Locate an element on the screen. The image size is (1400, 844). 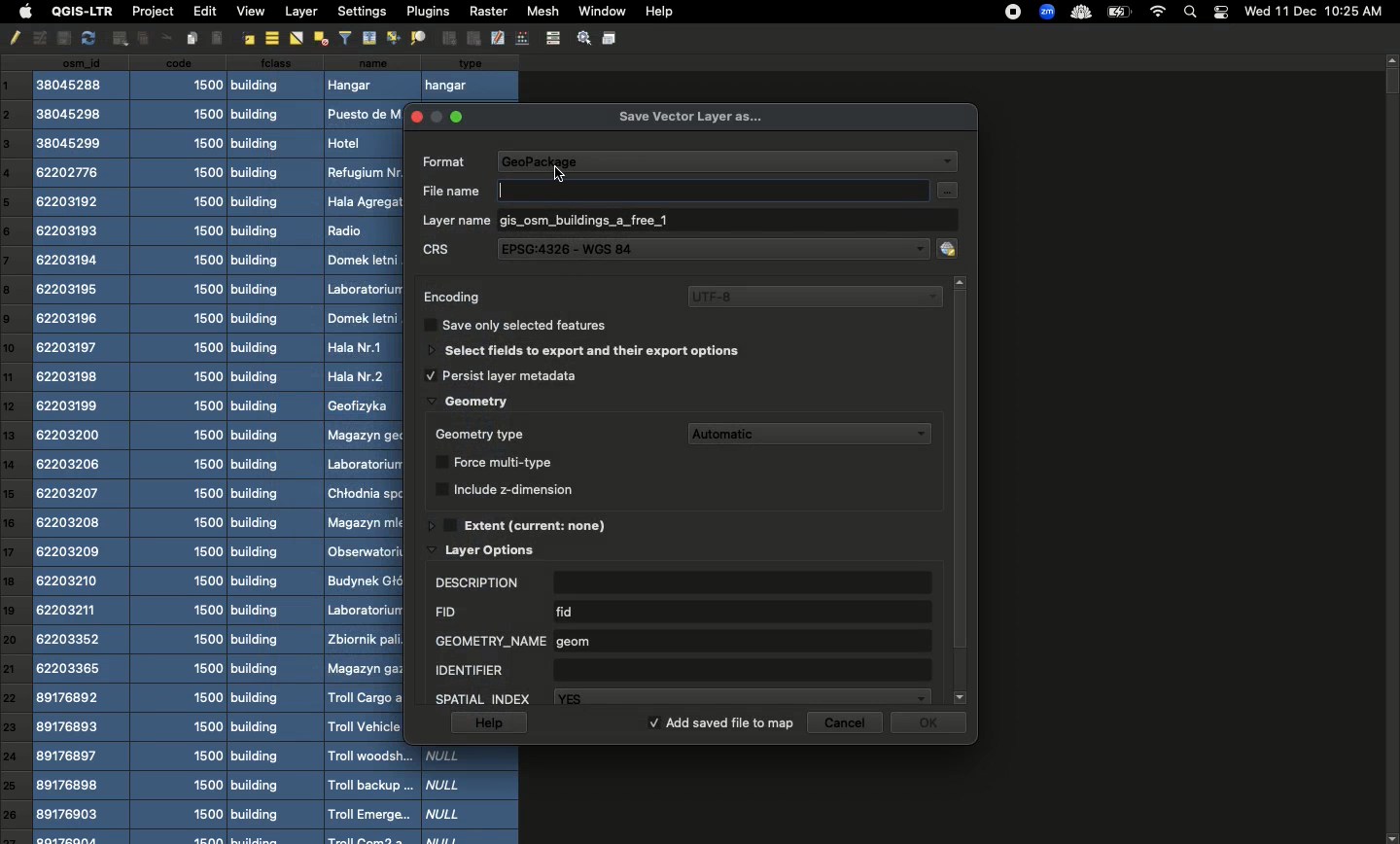
Edit Points is located at coordinates (522, 37).